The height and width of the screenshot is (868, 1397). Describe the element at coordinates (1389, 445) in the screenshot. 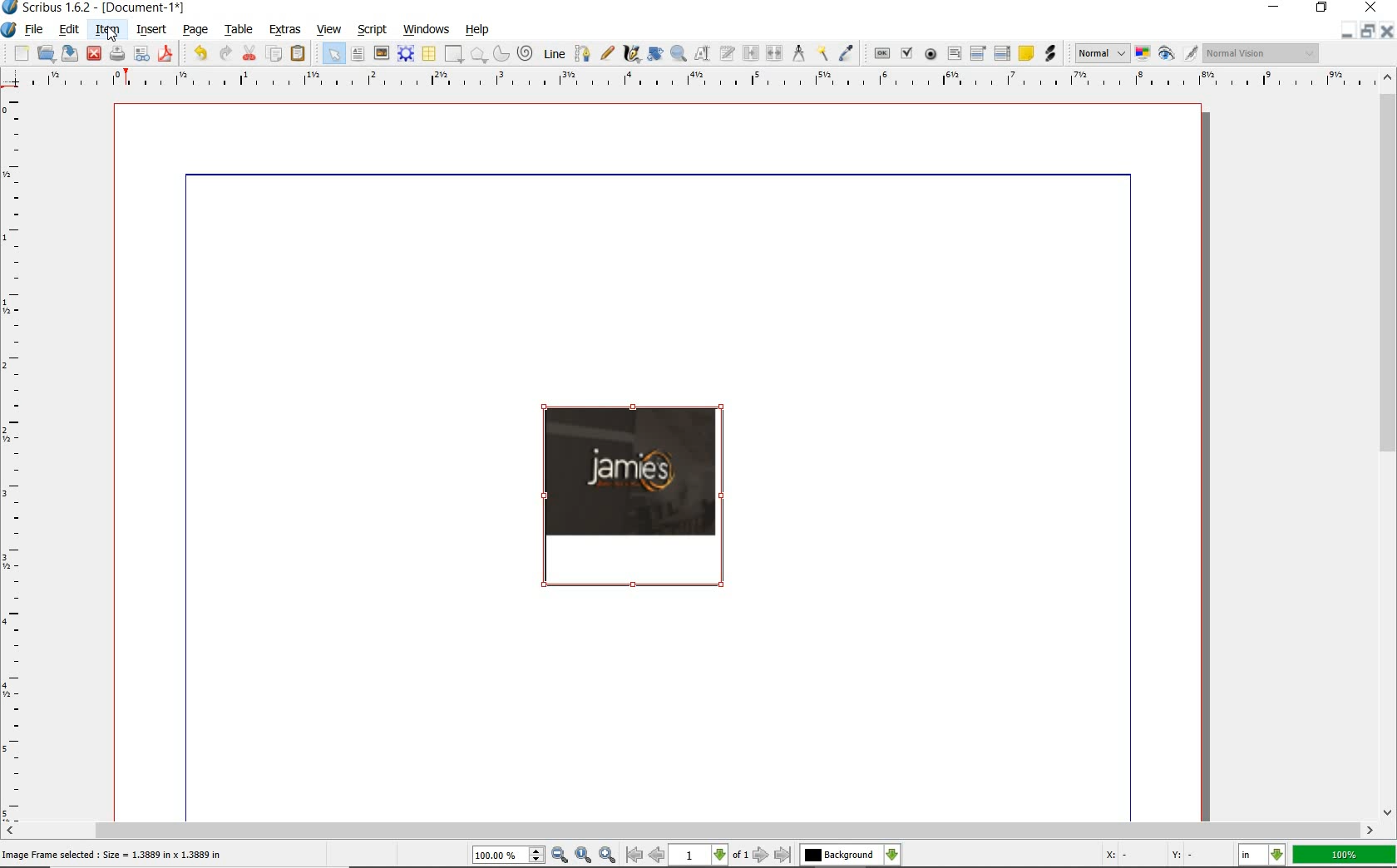

I see `scrollbar` at that location.